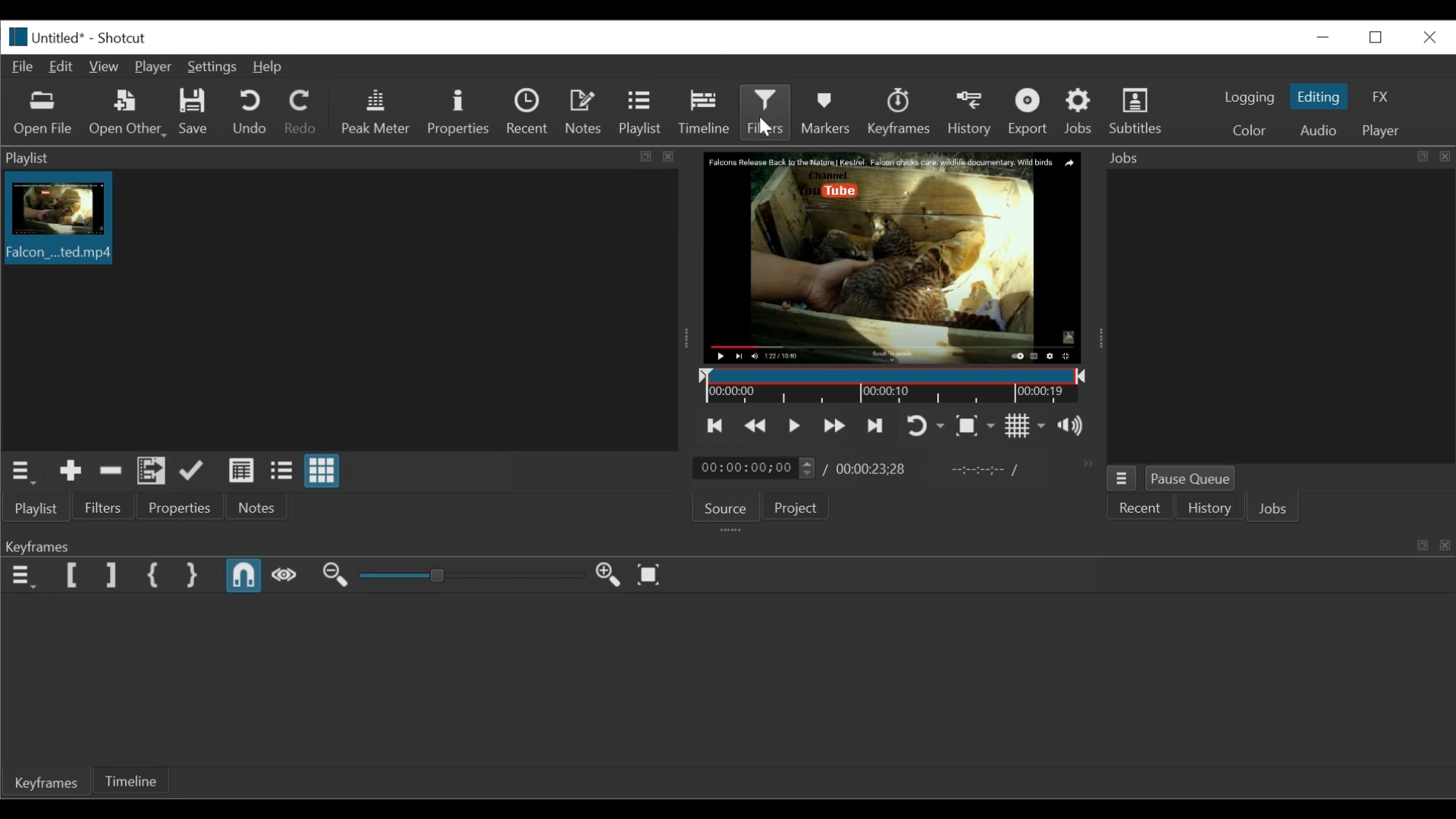  Describe the element at coordinates (794, 425) in the screenshot. I see `Toggle play or pause (space)` at that location.